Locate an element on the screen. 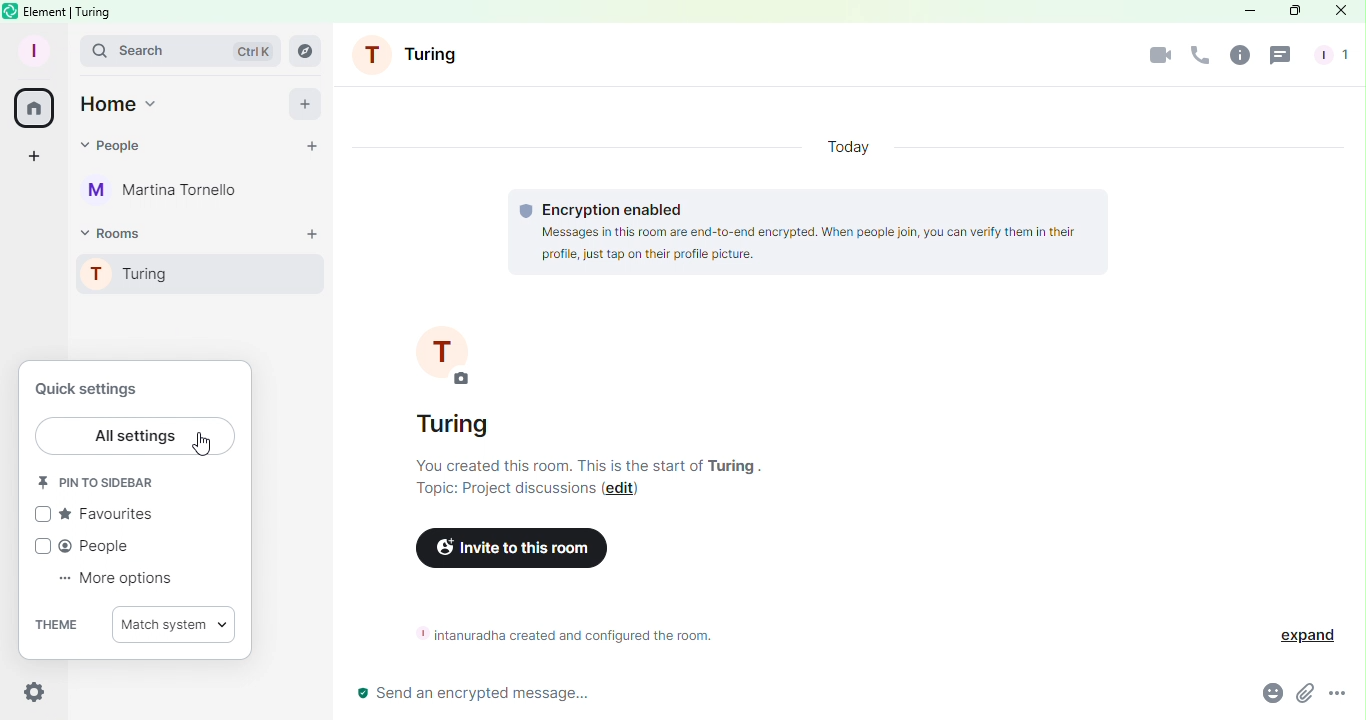 The height and width of the screenshot is (720, 1366). Turing is located at coordinates (192, 271).